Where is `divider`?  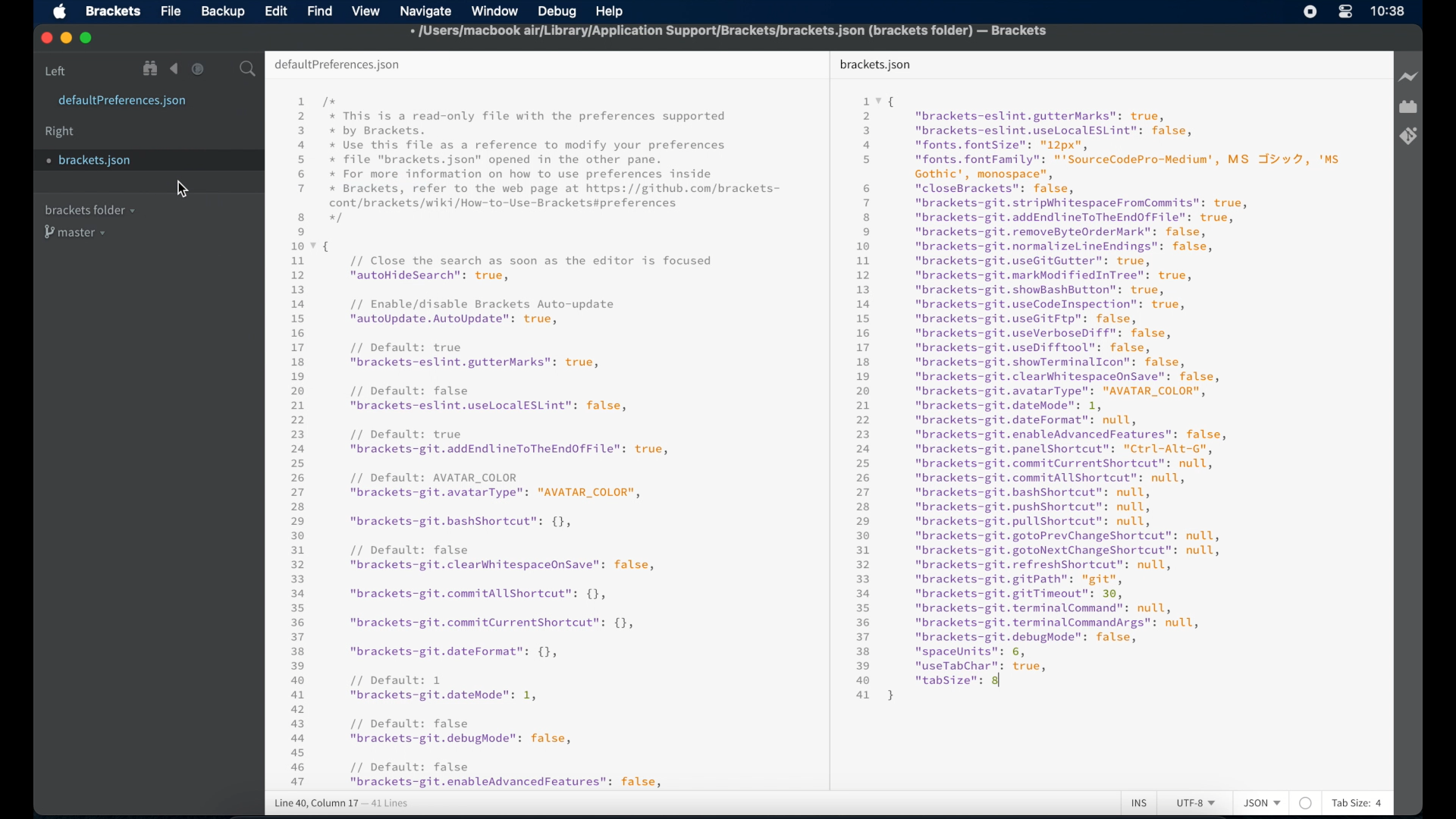
divider is located at coordinates (826, 419).